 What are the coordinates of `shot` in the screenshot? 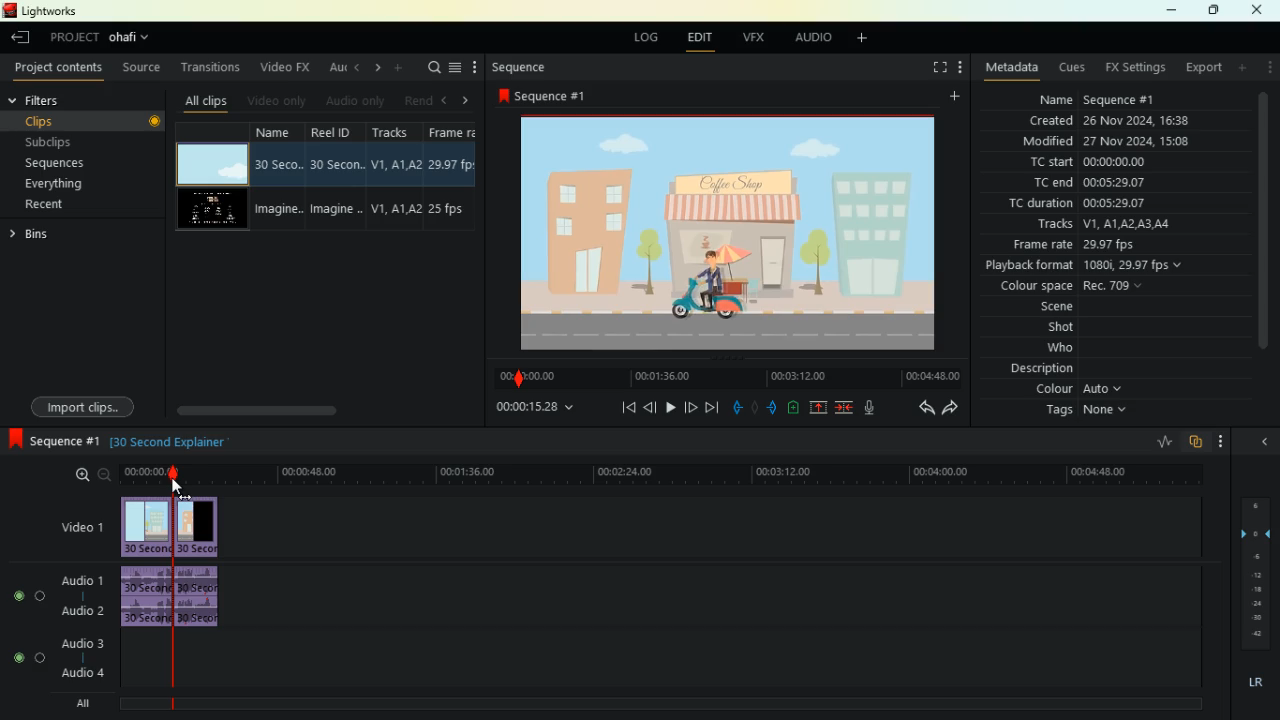 It's located at (1052, 329).